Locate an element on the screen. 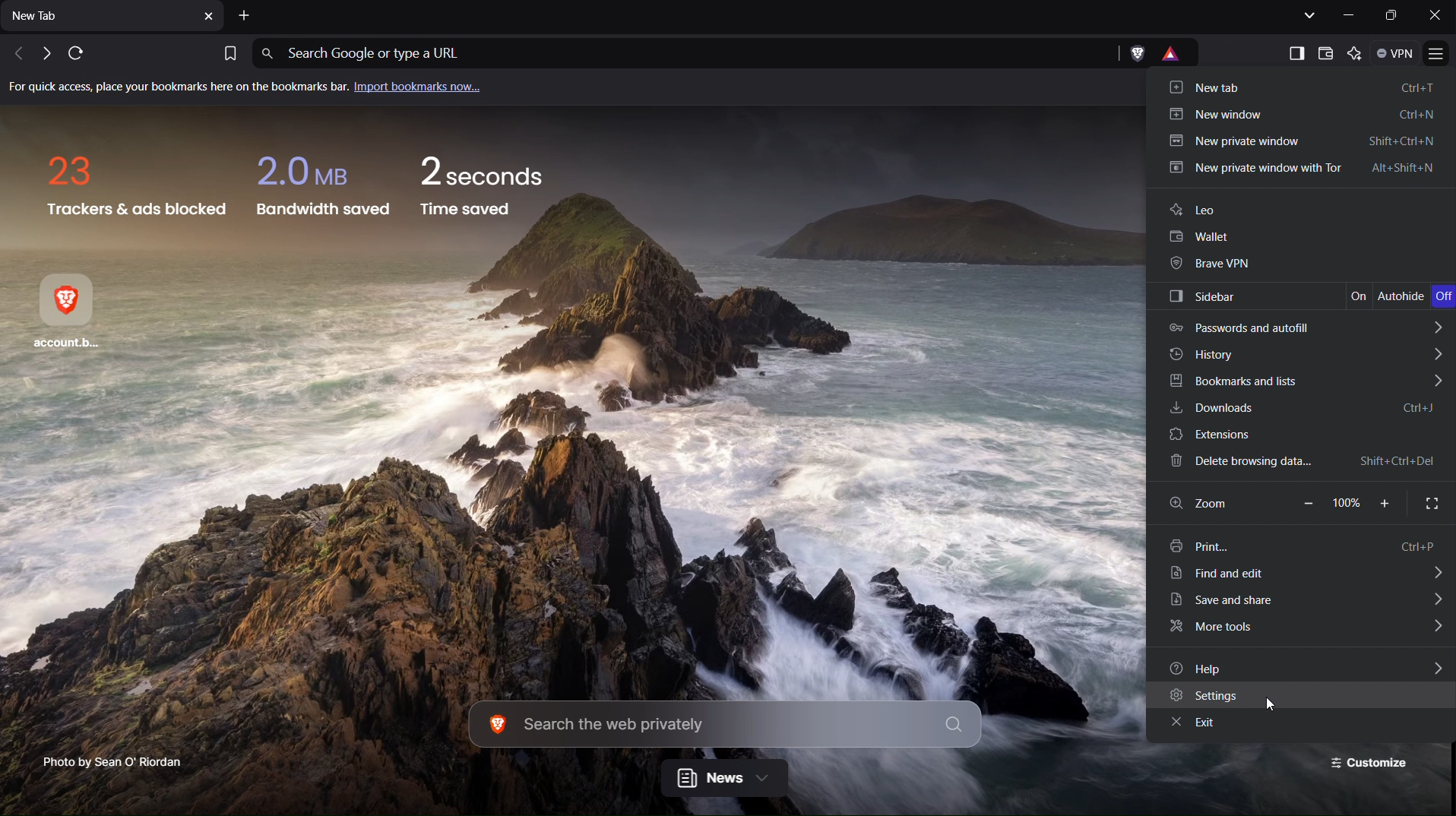 The width and height of the screenshot is (1456, 816). History is located at coordinates (1302, 353).